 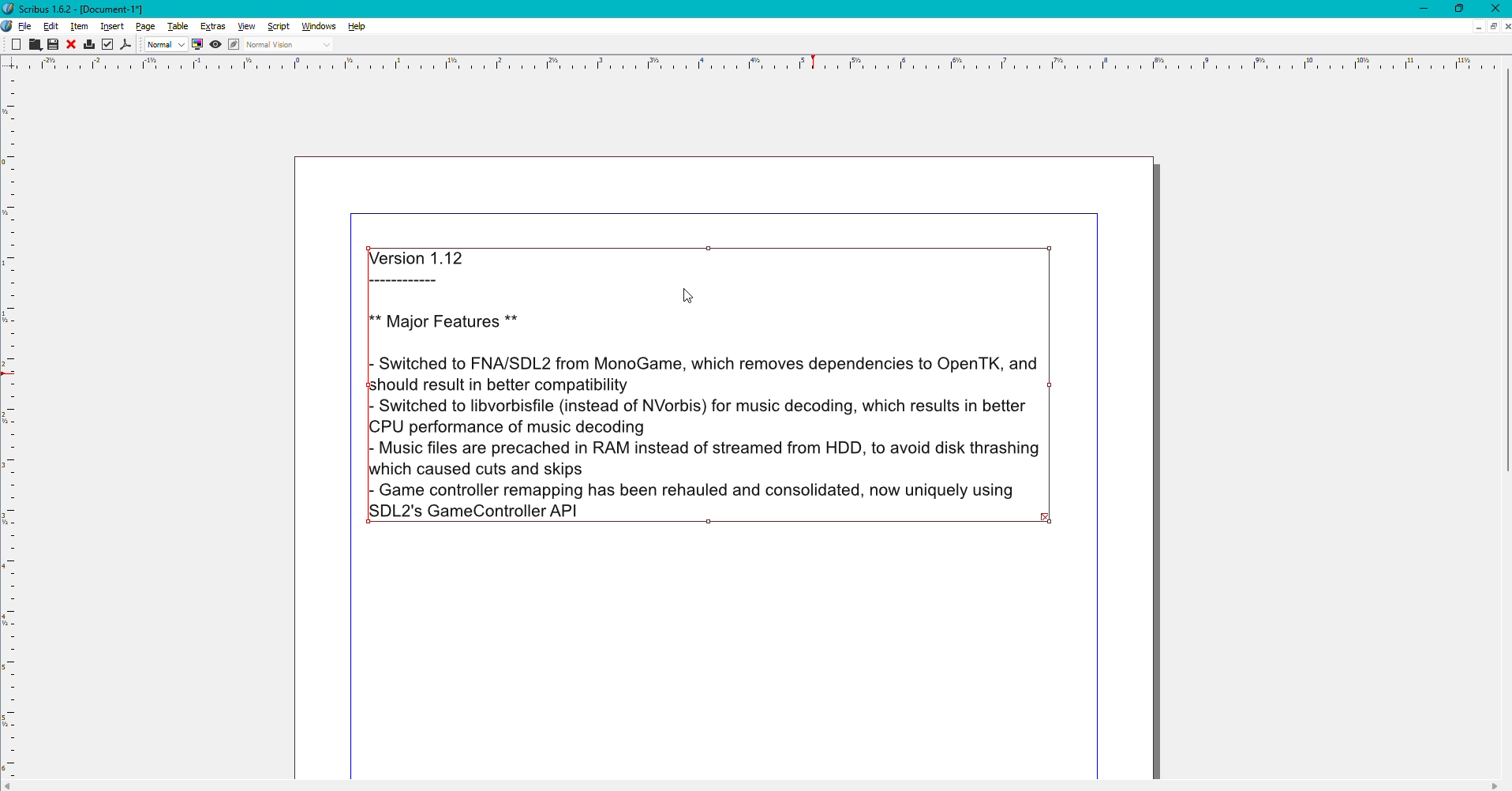 What do you see at coordinates (80, 27) in the screenshot?
I see `Item` at bounding box center [80, 27].